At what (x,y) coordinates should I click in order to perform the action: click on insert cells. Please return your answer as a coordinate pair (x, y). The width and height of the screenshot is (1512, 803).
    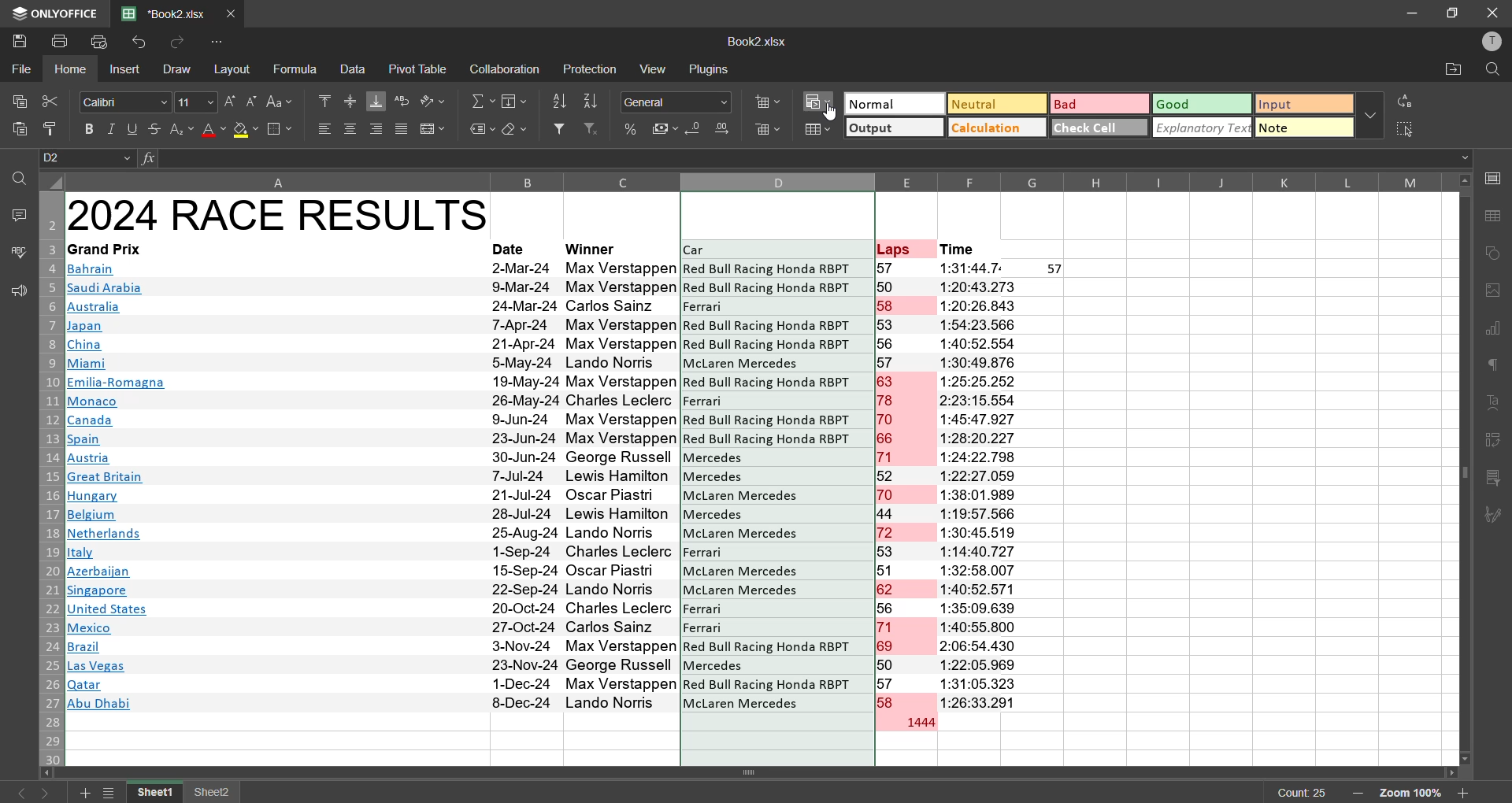
    Looking at the image, I should click on (766, 100).